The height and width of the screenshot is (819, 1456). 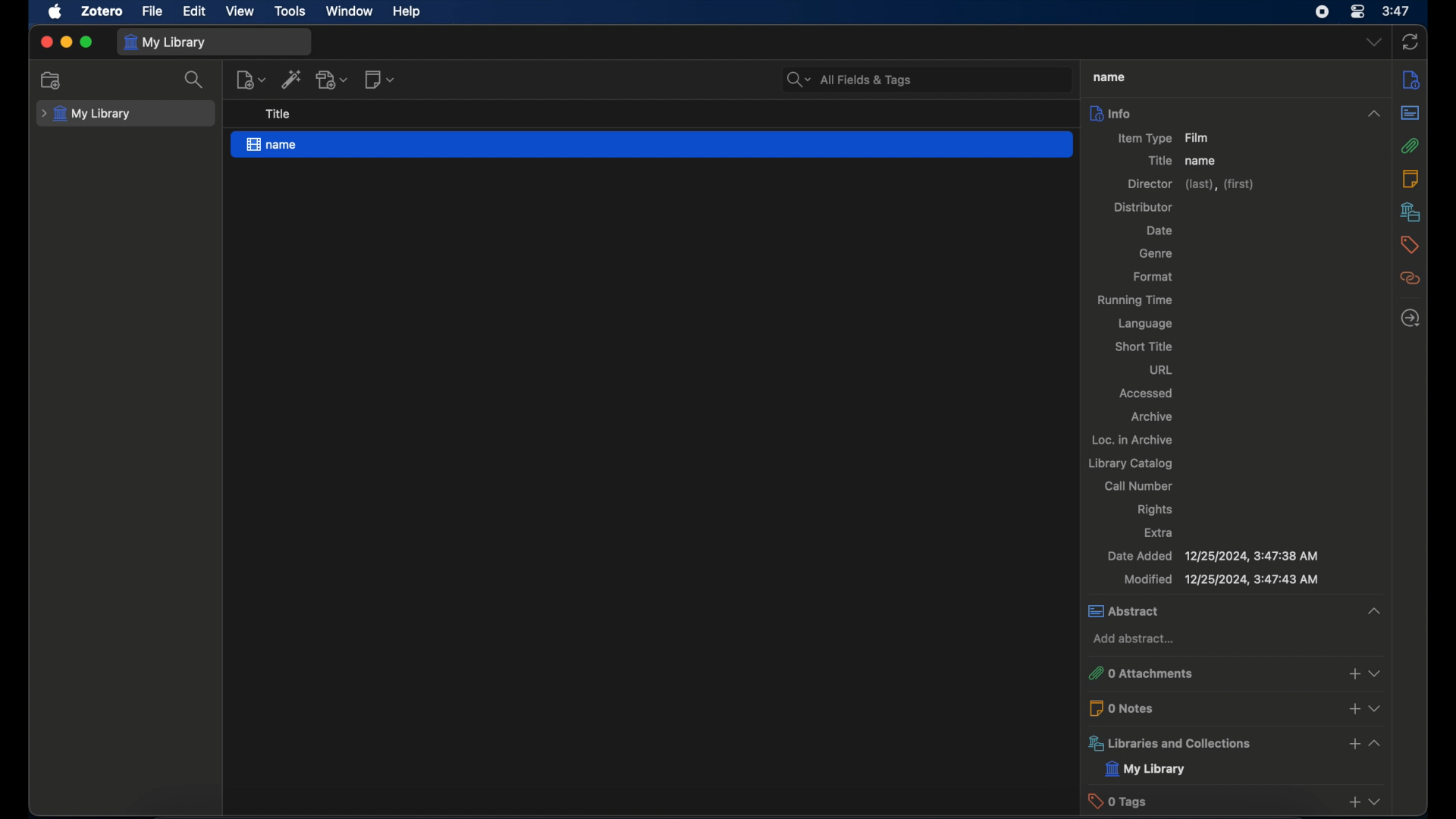 What do you see at coordinates (1219, 112) in the screenshot?
I see `info` at bounding box center [1219, 112].